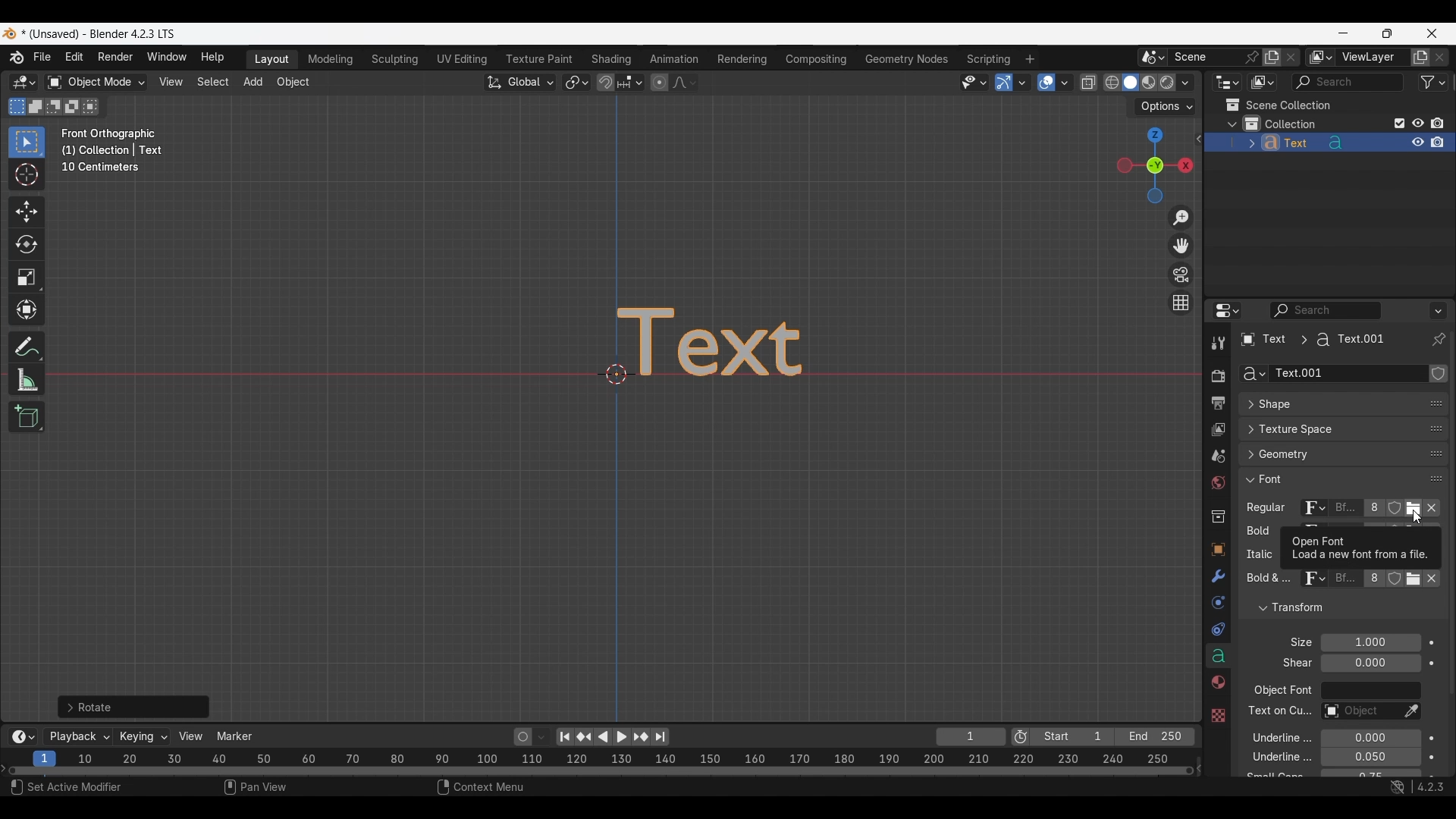 The image size is (1456, 819). I want to click on Pin scene to workspace, so click(1216, 57).